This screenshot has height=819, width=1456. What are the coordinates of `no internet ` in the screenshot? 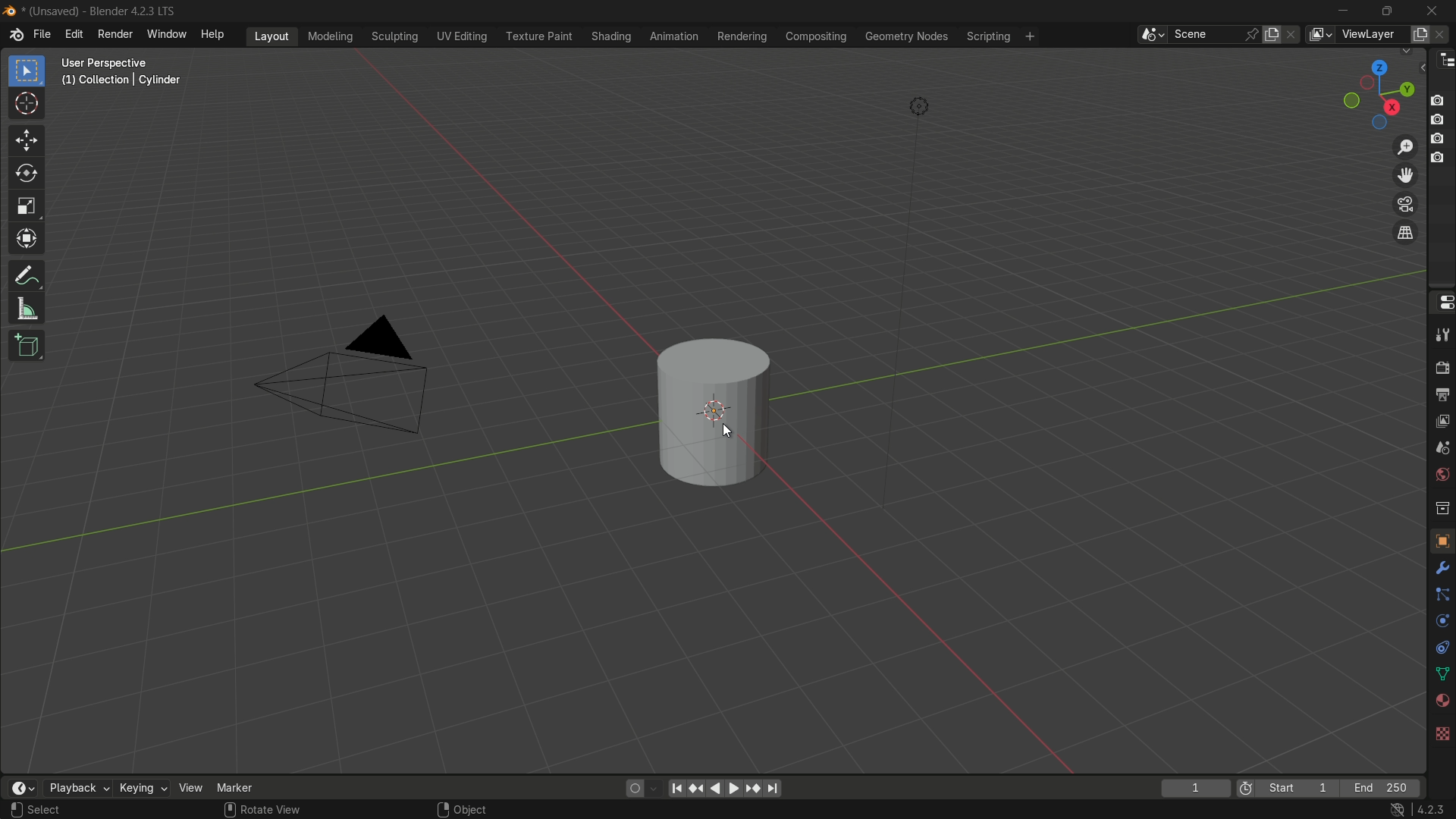 It's located at (1396, 810).